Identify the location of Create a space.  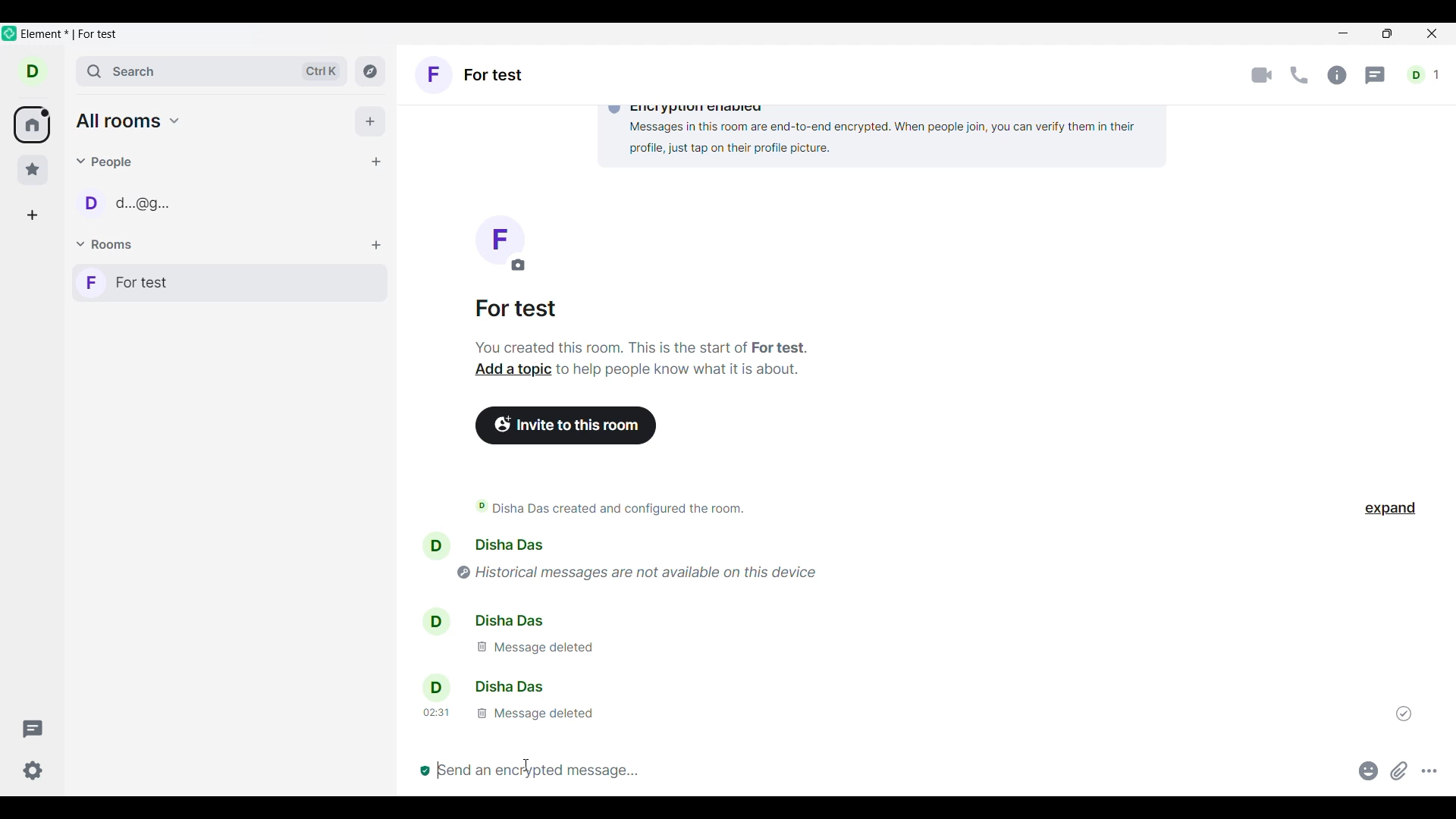
(32, 215).